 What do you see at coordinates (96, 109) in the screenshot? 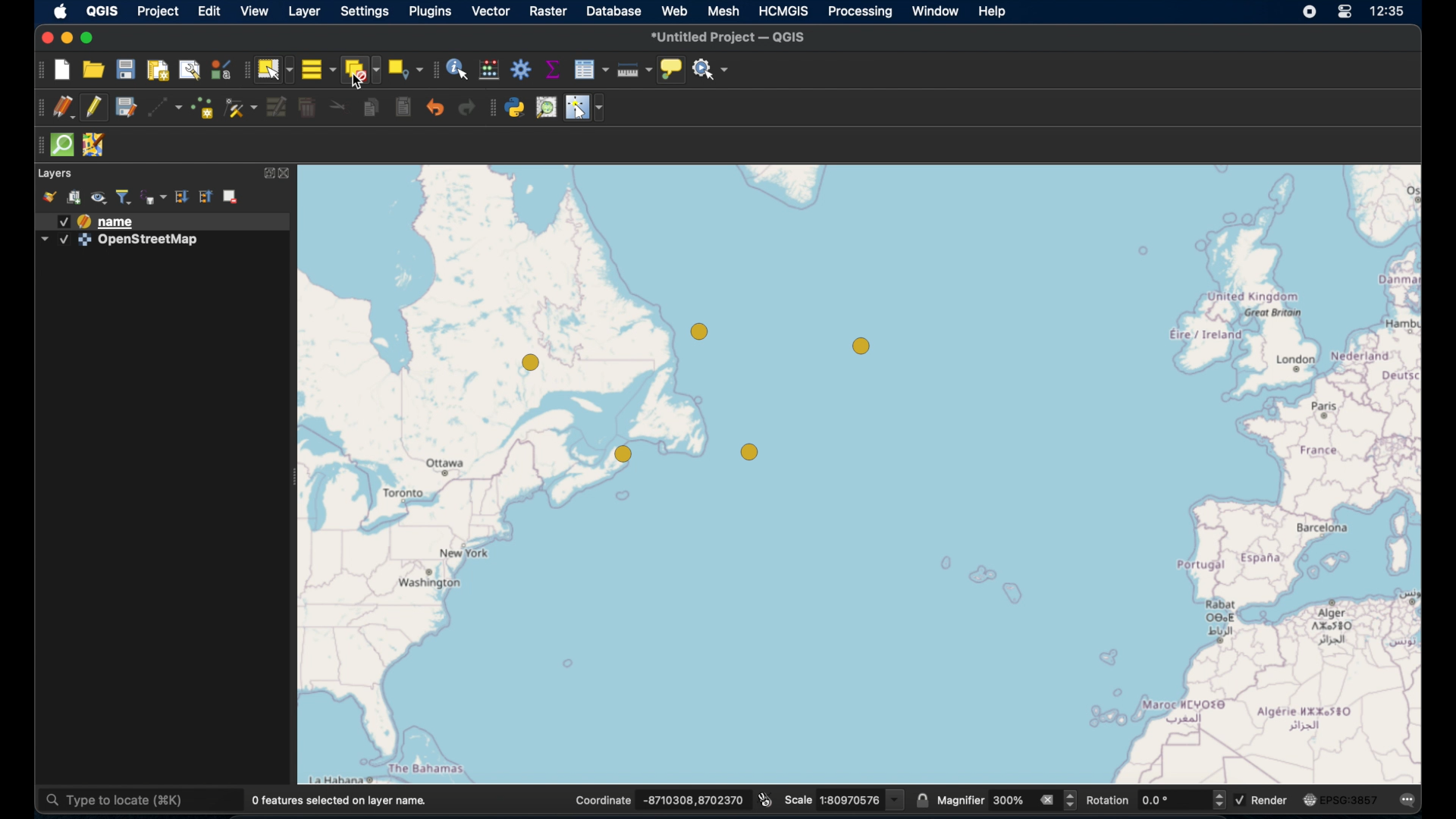
I see `toggle editing` at bounding box center [96, 109].